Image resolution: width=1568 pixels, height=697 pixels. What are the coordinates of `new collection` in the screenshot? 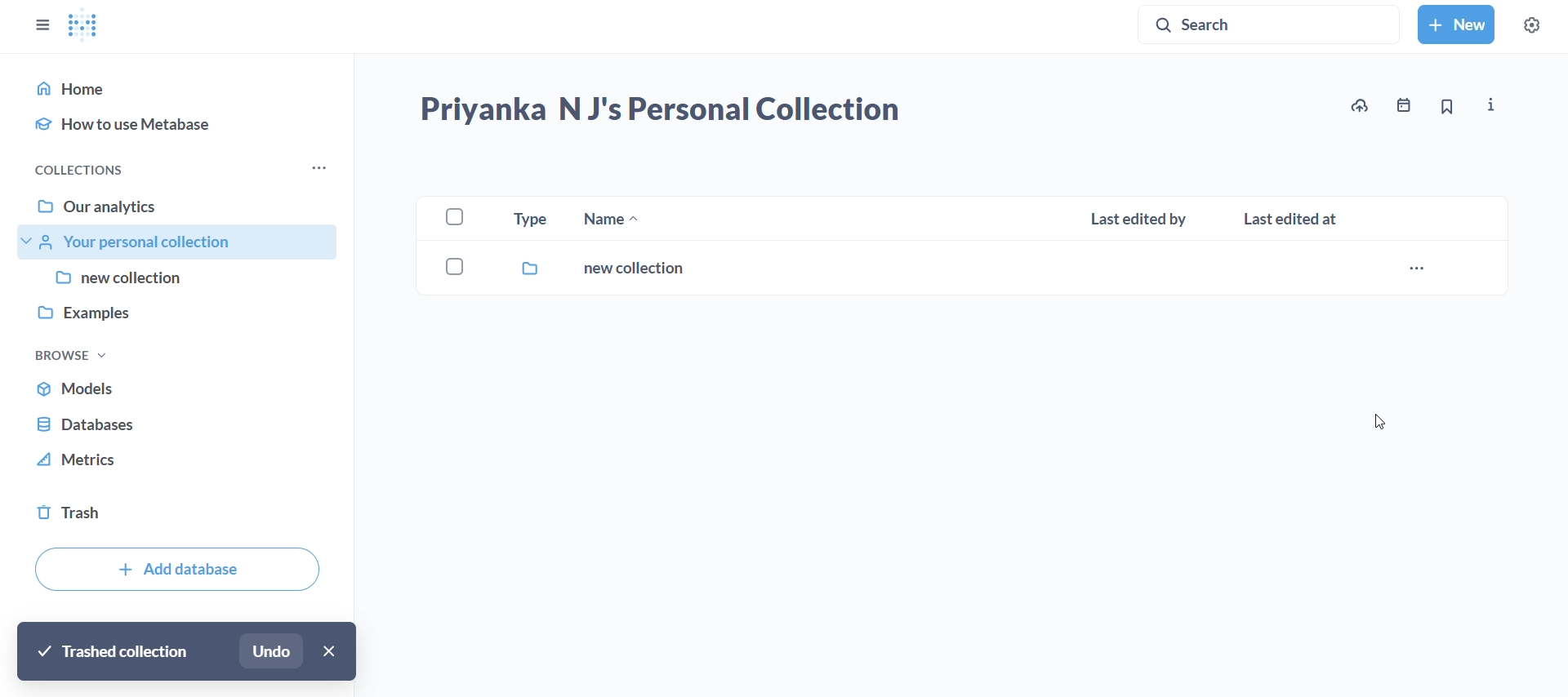 It's located at (567, 269).